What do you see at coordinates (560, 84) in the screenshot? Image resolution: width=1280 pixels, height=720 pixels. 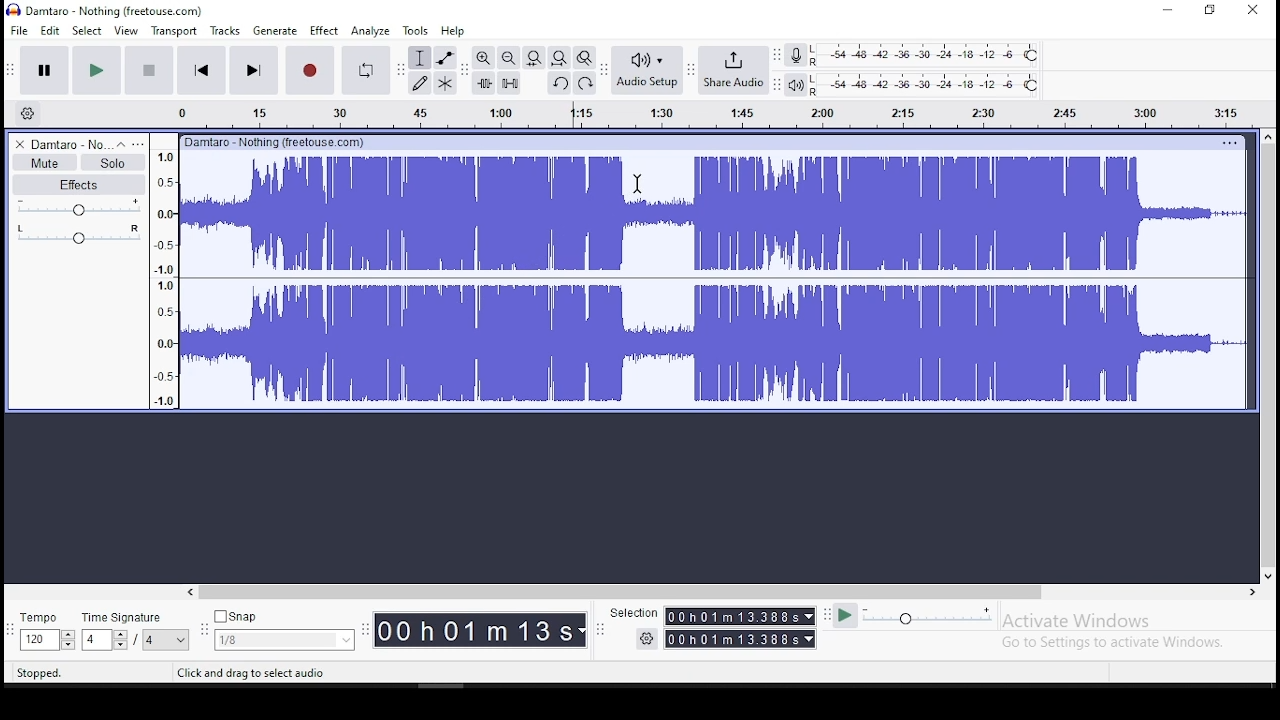 I see `undo` at bounding box center [560, 84].